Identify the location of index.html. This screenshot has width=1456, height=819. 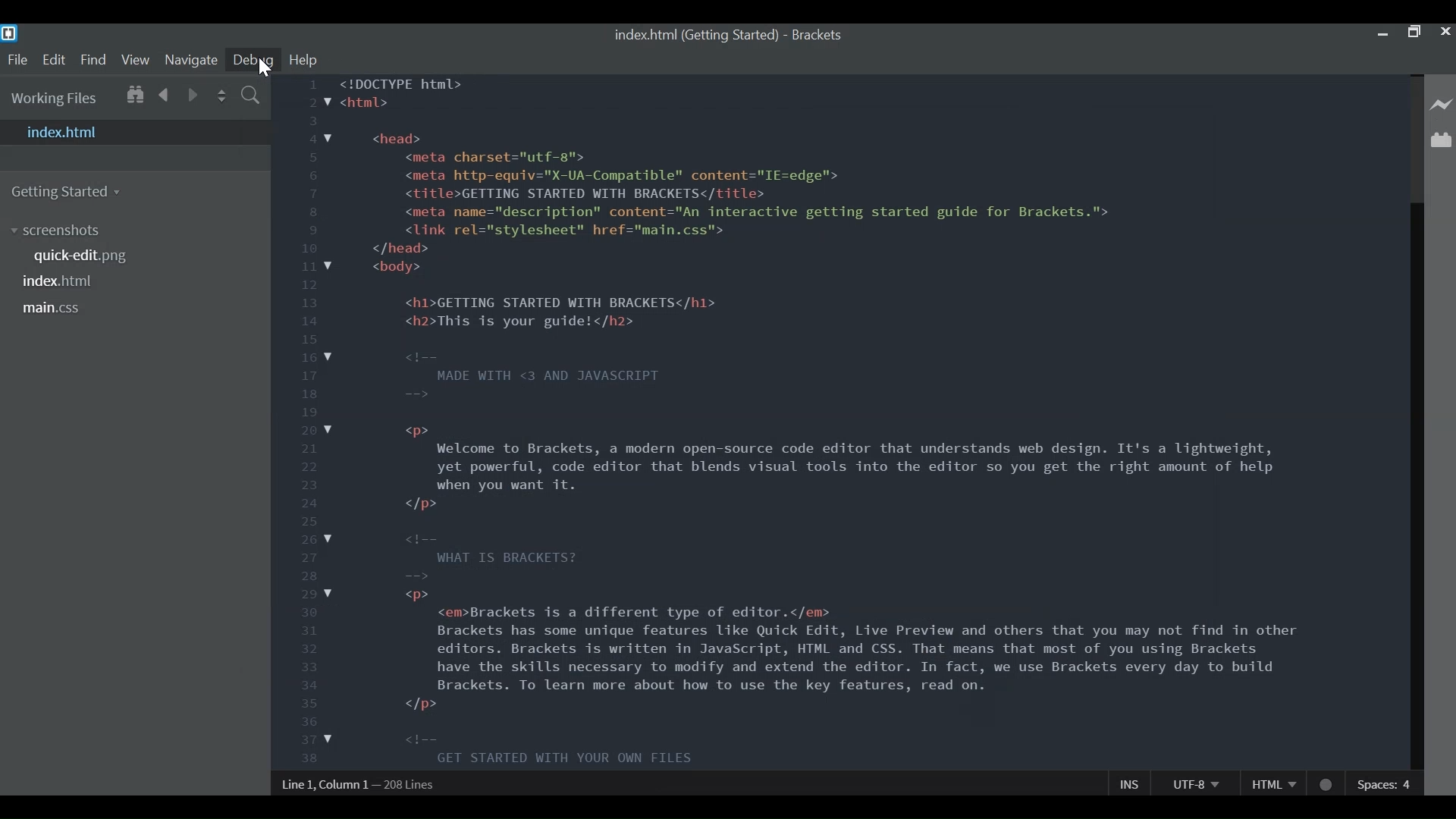
(56, 281).